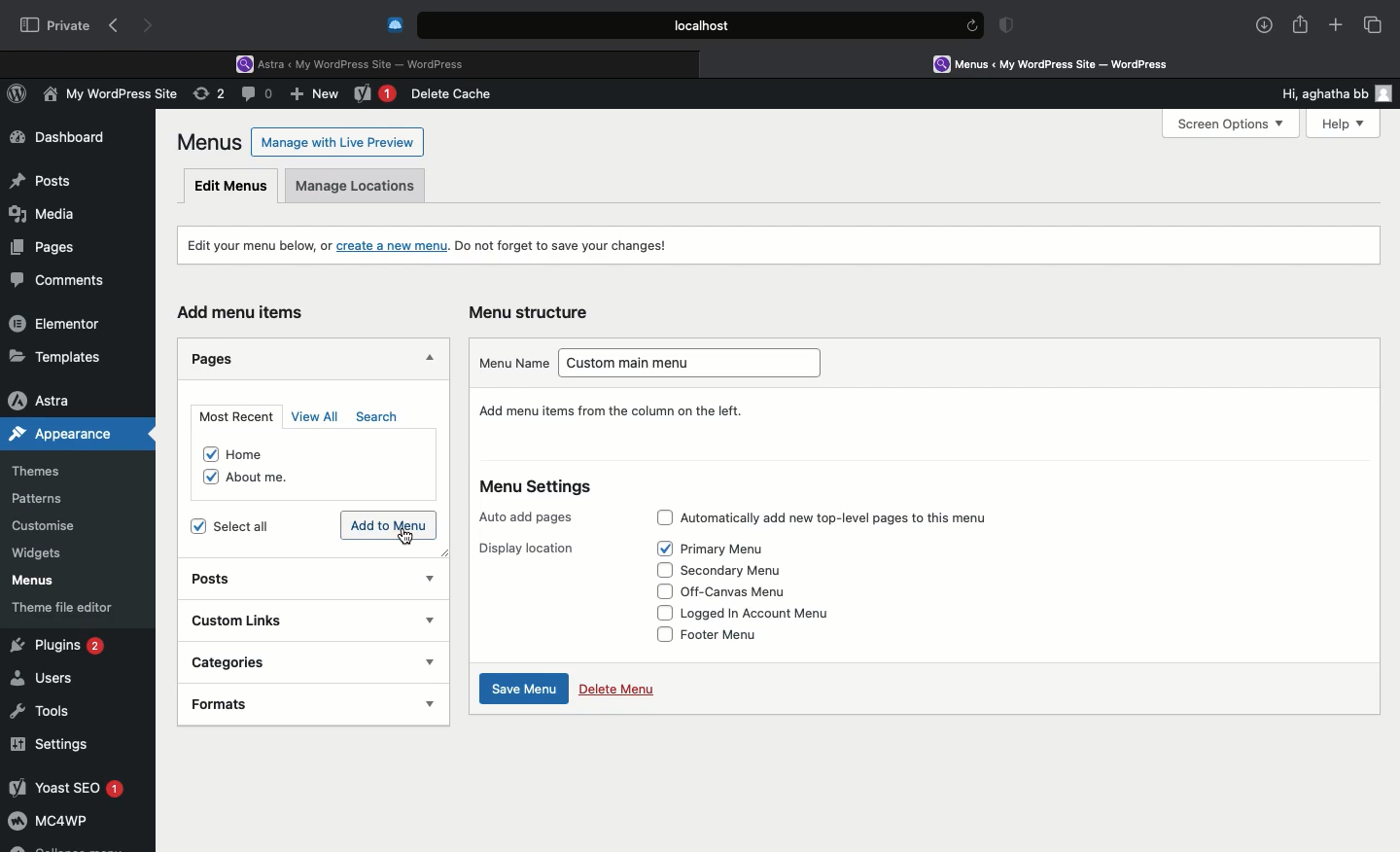 The width and height of the screenshot is (1400, 852). I want to click on checkbox, so click(201, 450).